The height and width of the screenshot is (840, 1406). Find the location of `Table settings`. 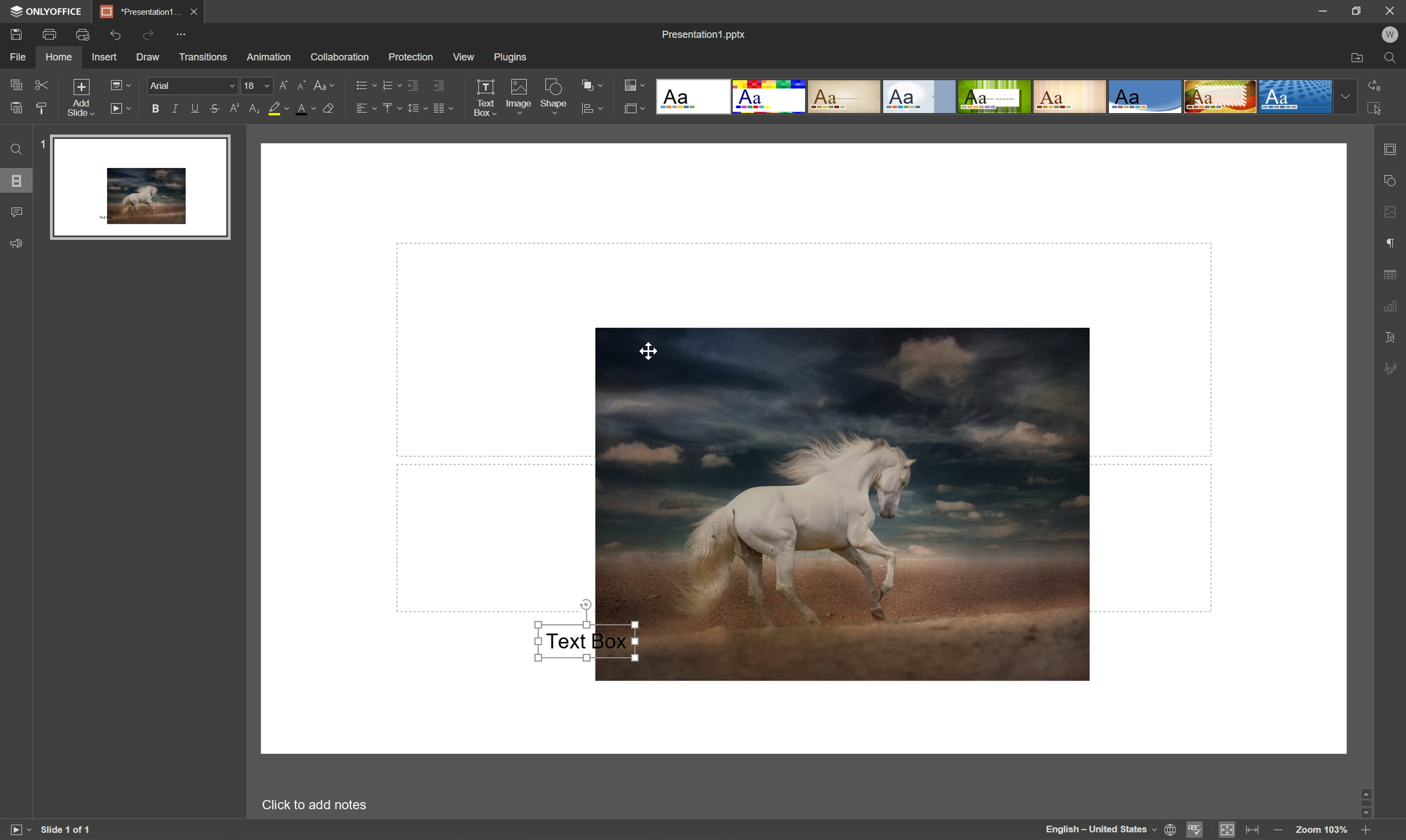

Table settings is located at coordinates (1393, 277).